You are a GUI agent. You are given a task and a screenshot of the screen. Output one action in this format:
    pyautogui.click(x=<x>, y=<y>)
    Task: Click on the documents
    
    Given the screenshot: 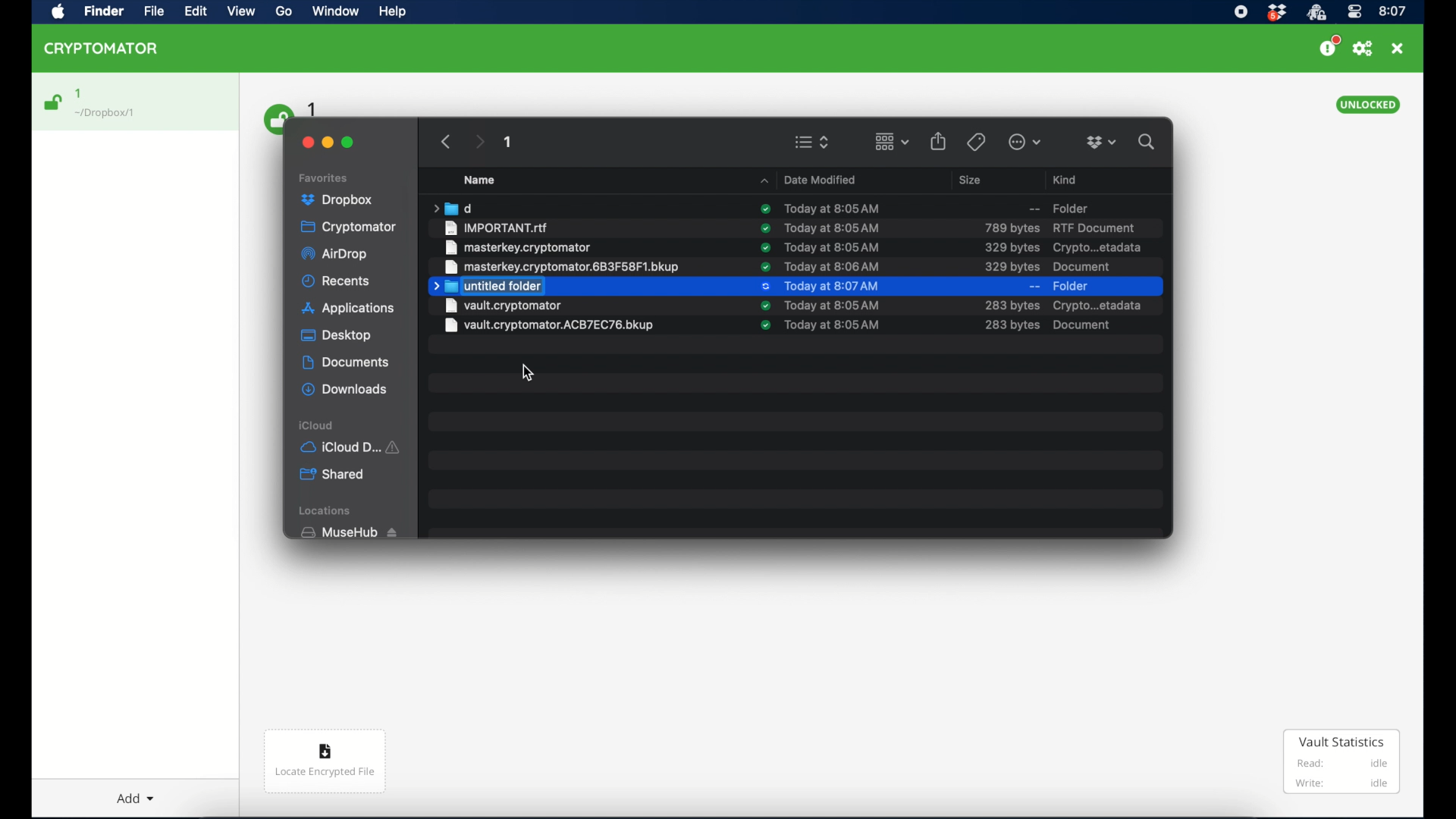 What is the action you would take?
    pyautogui.click(x=345, y=362)
    